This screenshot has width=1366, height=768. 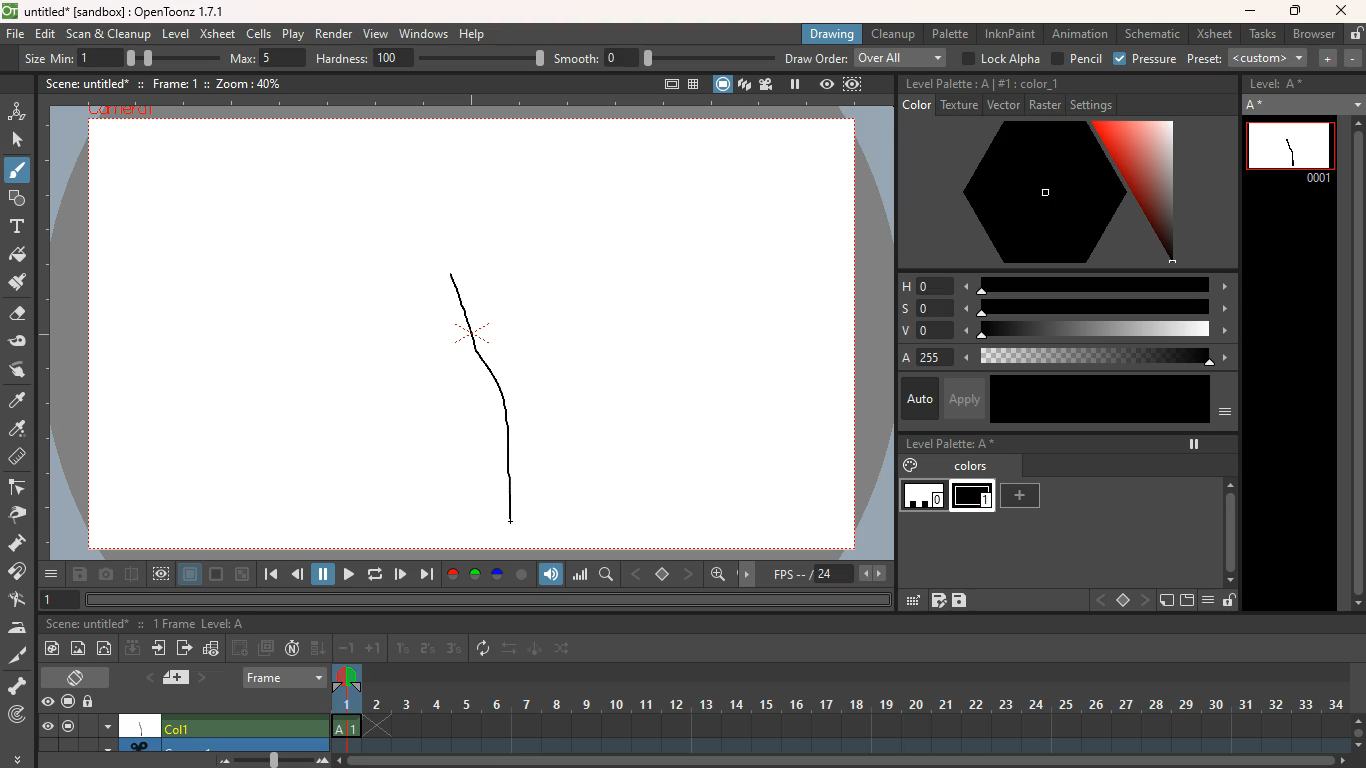 I want to click on level palette: A, so click(x=947, y=84).